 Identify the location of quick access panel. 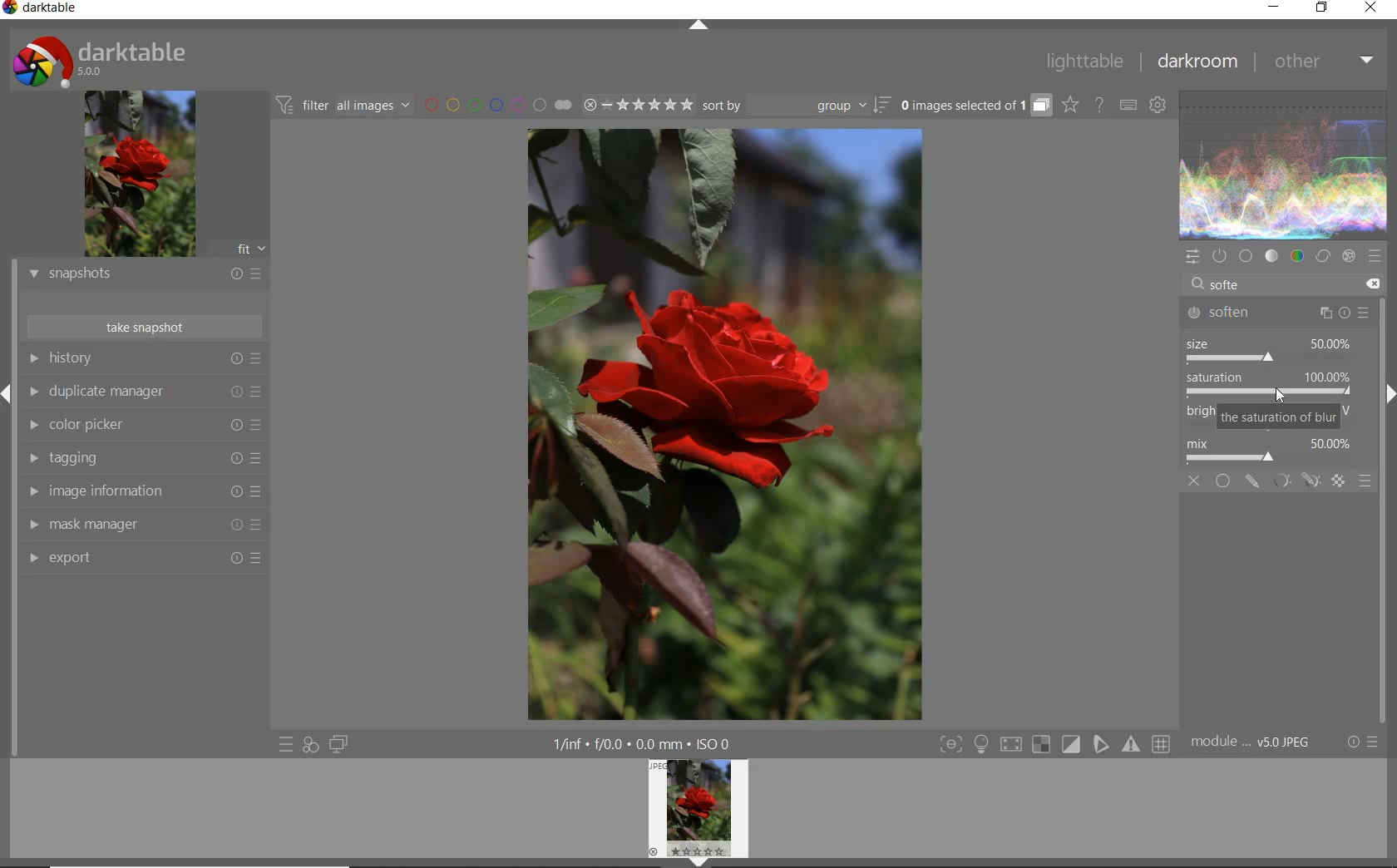
(1192, 257).